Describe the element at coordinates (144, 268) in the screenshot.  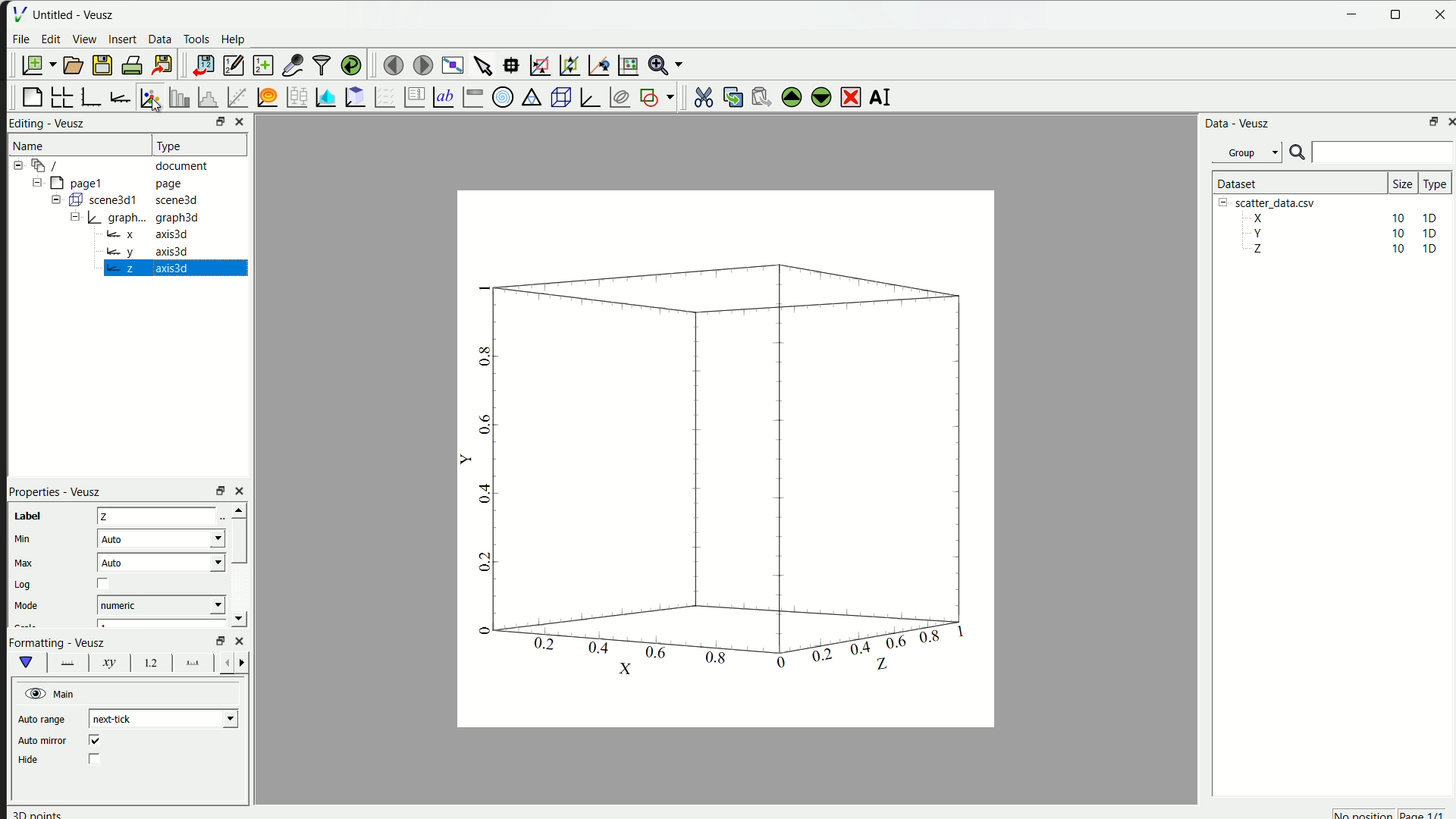
I see `Bz  axis3d` at that location.